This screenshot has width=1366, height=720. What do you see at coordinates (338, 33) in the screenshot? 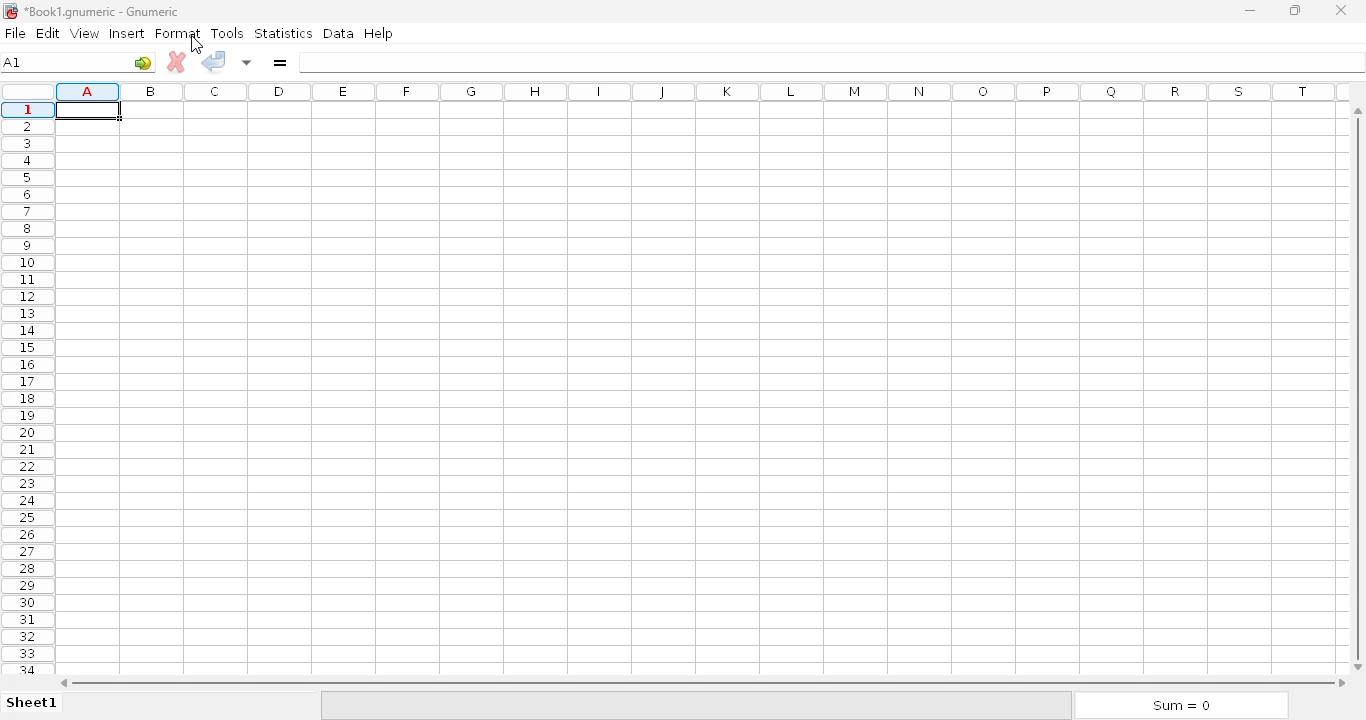
I see `data` at bounding box center [338, 33].